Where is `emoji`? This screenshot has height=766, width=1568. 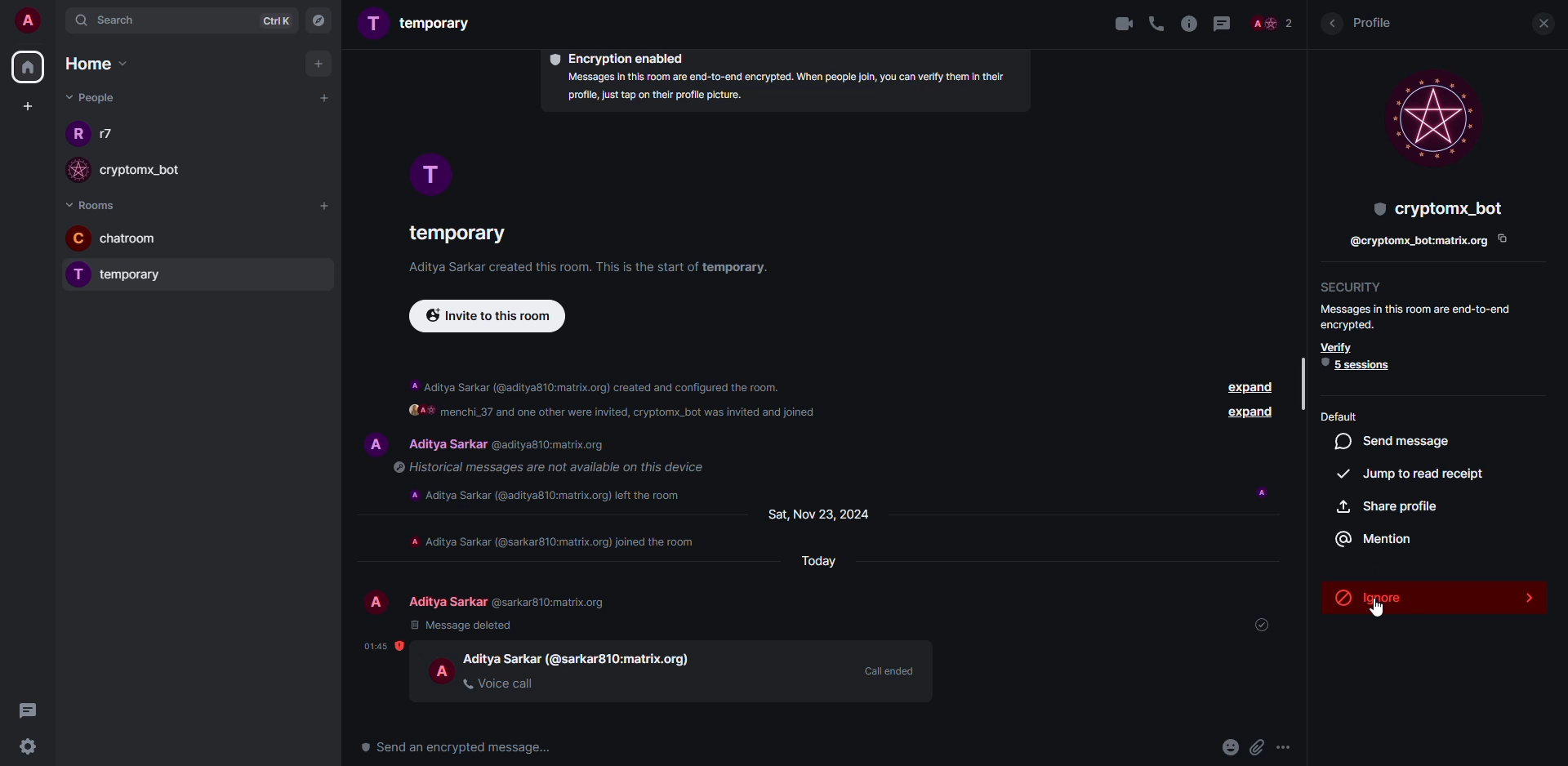 emoji is located at coordinates (1231, 746).